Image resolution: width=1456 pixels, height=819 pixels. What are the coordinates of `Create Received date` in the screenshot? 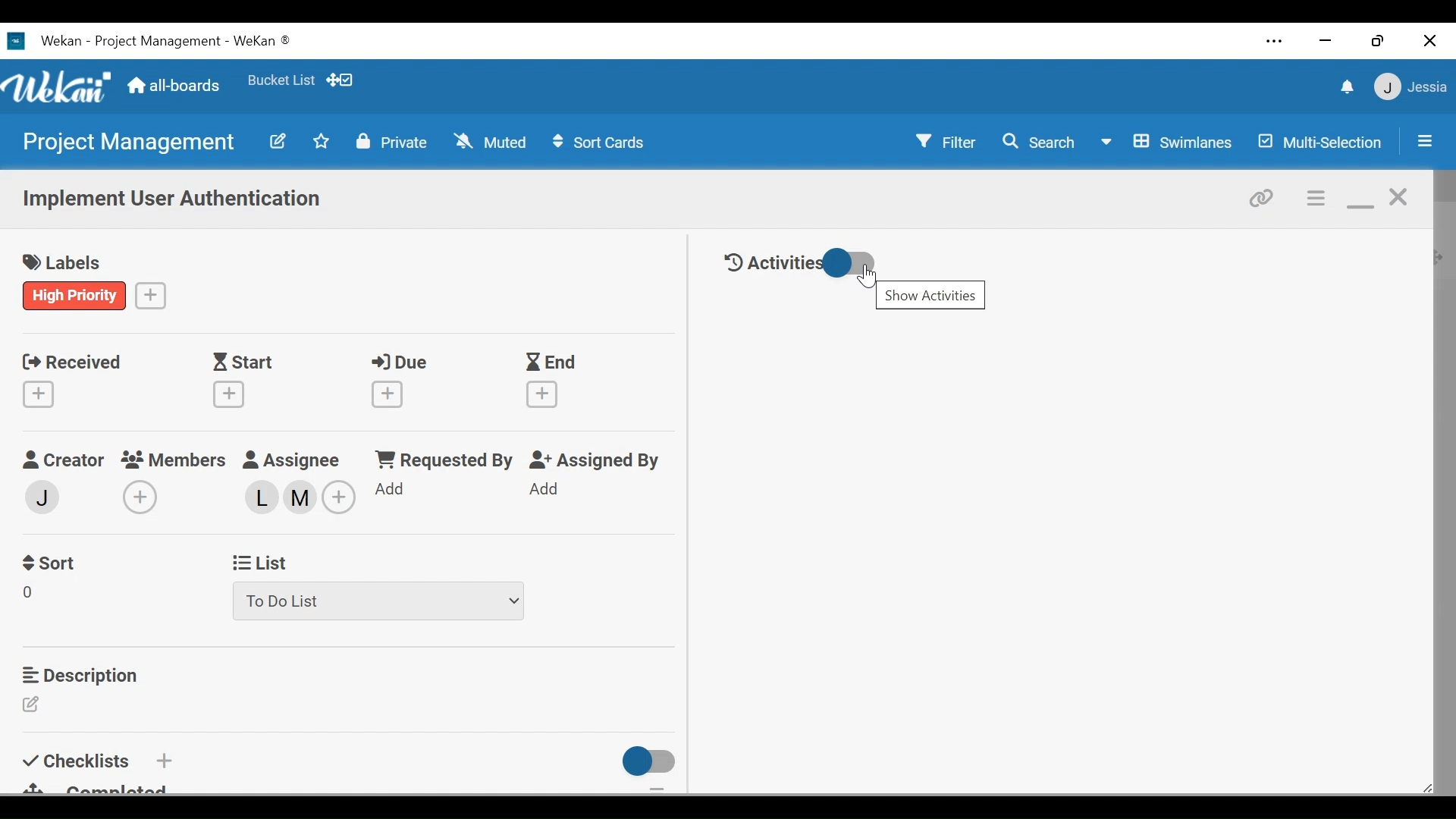 It's located at (39, 393).